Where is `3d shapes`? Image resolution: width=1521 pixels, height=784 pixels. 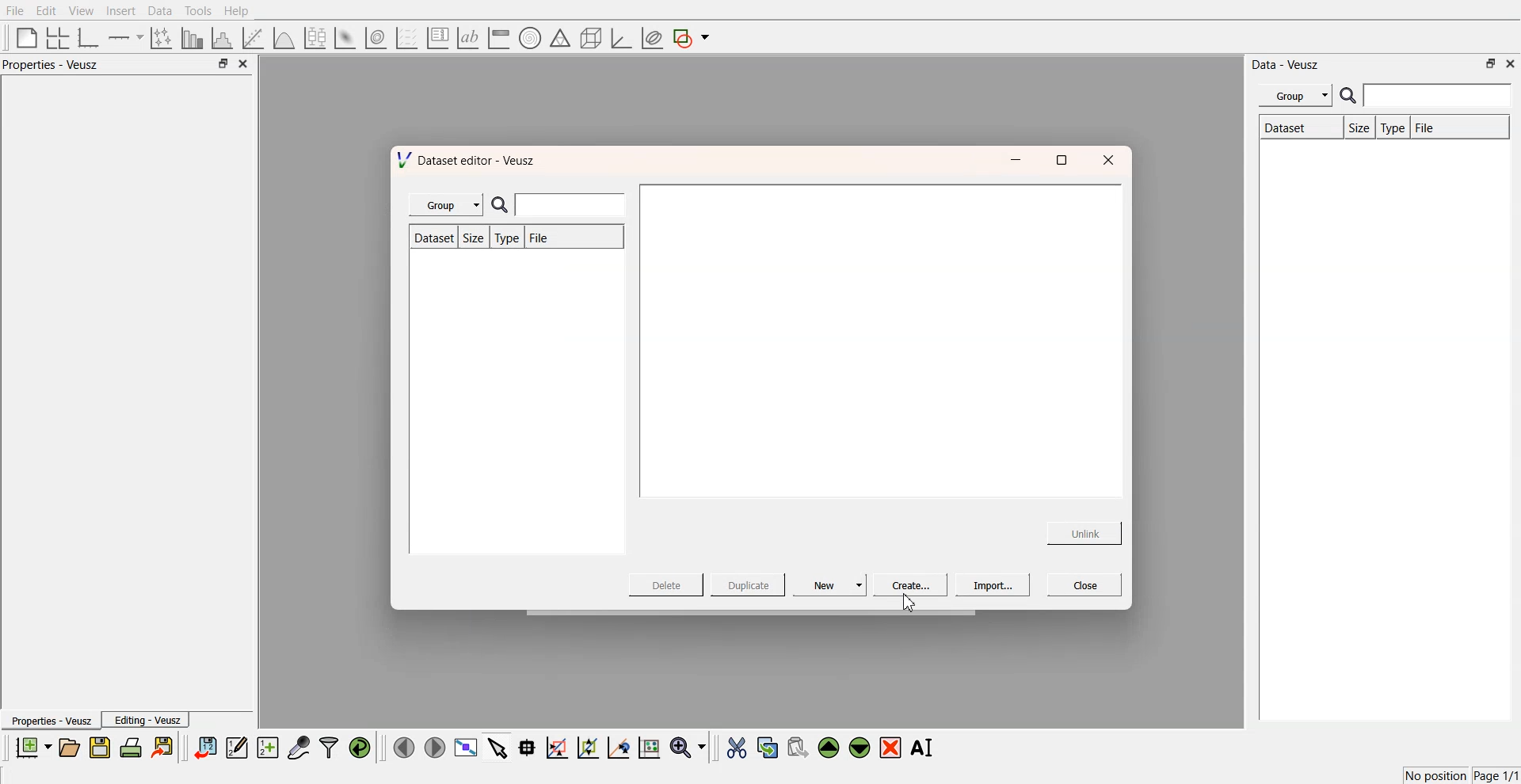
3d shapes is located at coordinates (588, 38).